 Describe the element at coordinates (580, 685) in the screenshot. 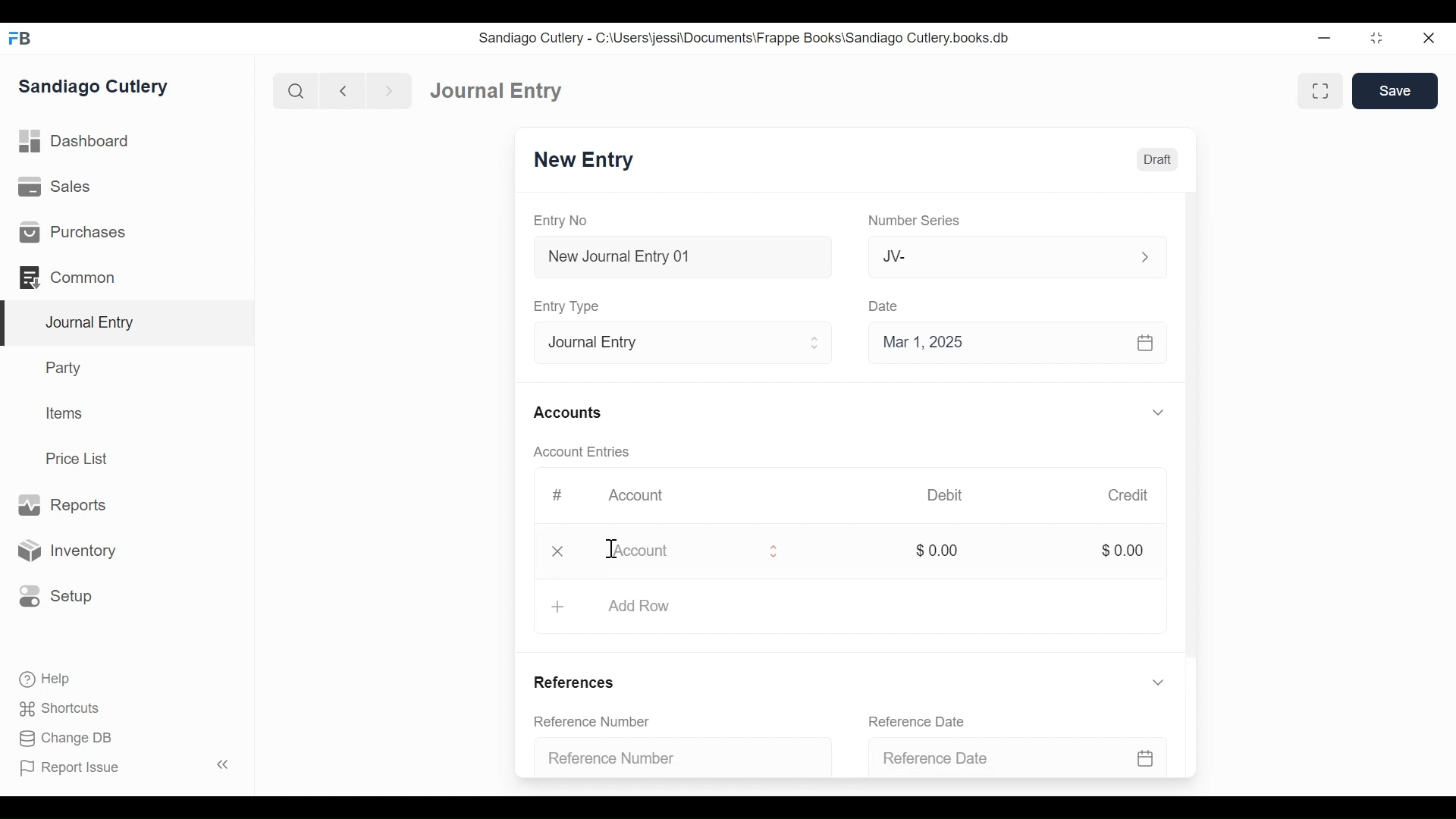

I see `References` at that location.